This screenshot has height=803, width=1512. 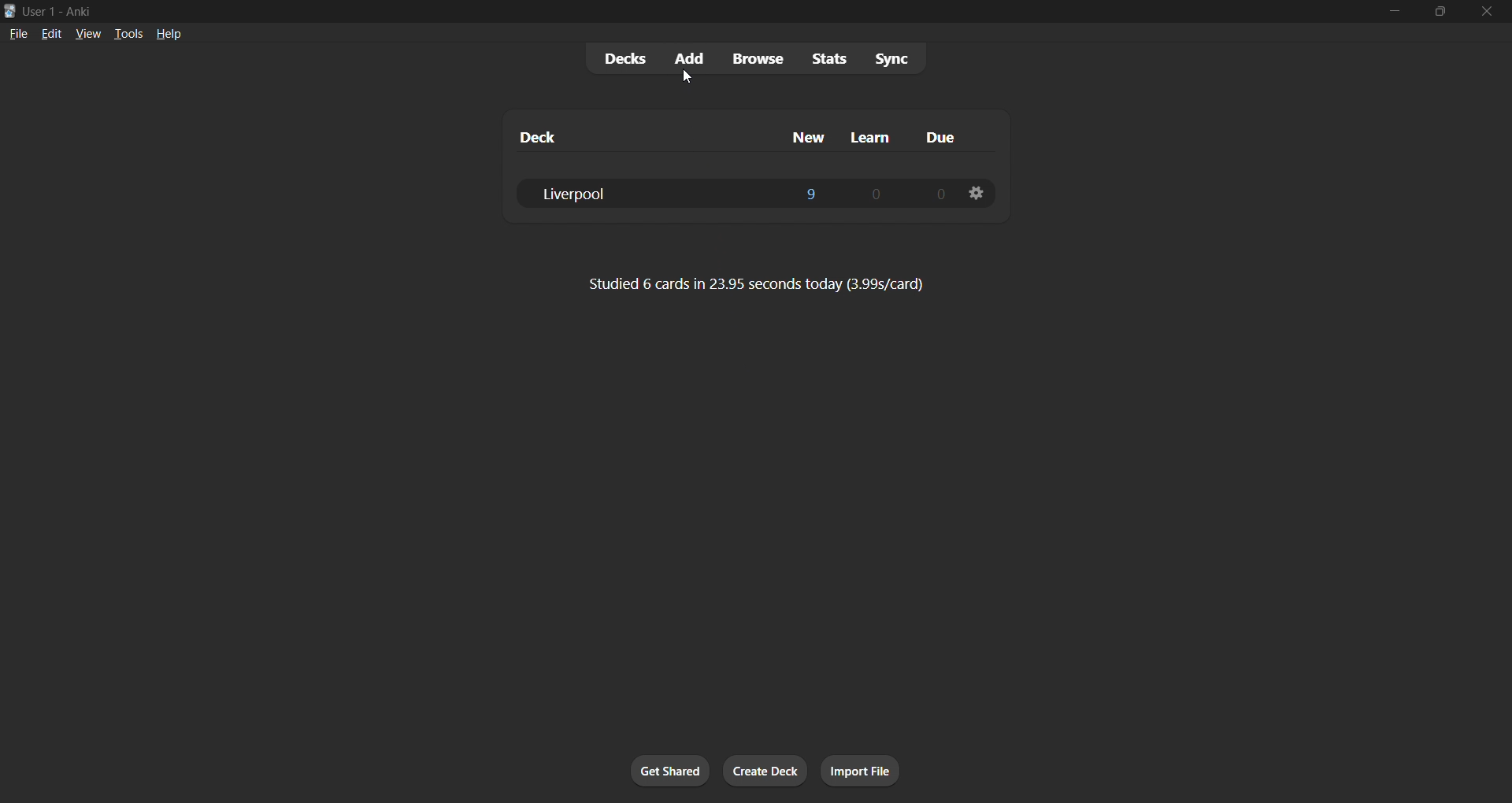 I want to click on liverpool deck data, so click(x=742, y=194).